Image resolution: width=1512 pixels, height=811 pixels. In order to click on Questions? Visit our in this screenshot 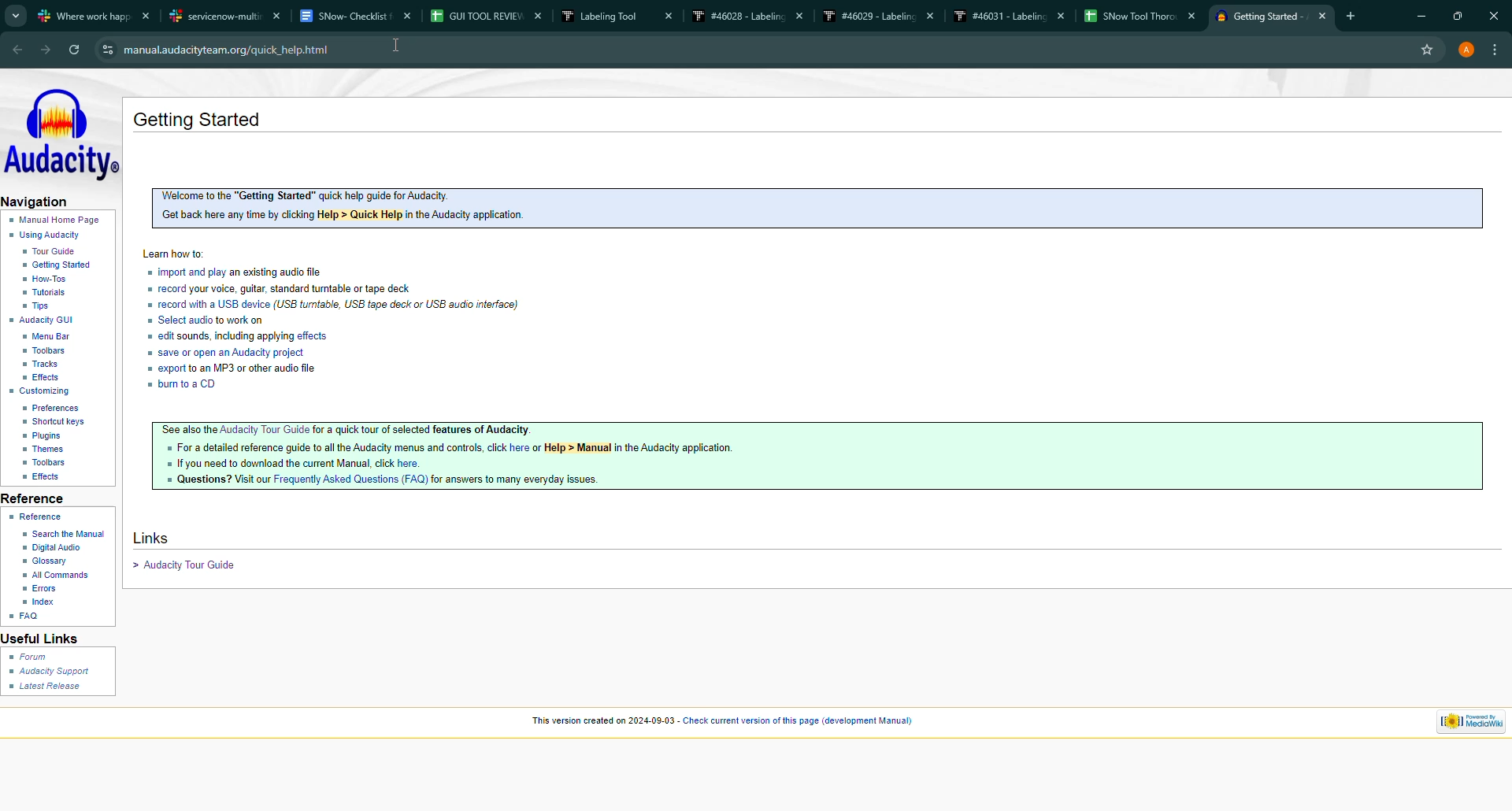, I will do `click(216, 480)`.